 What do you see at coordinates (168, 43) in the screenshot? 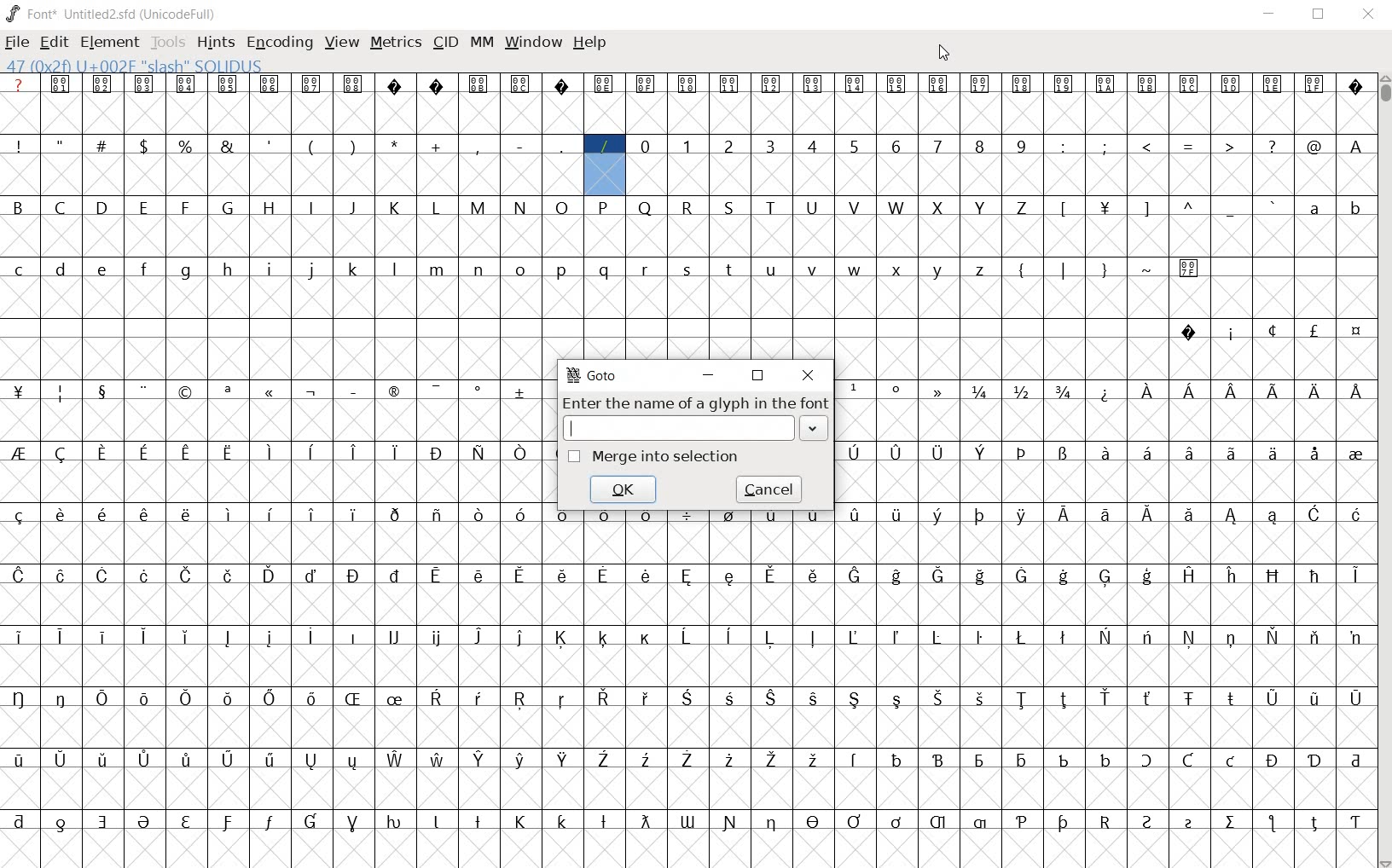
I see `TOOLS` at bounding box center [168, 43].